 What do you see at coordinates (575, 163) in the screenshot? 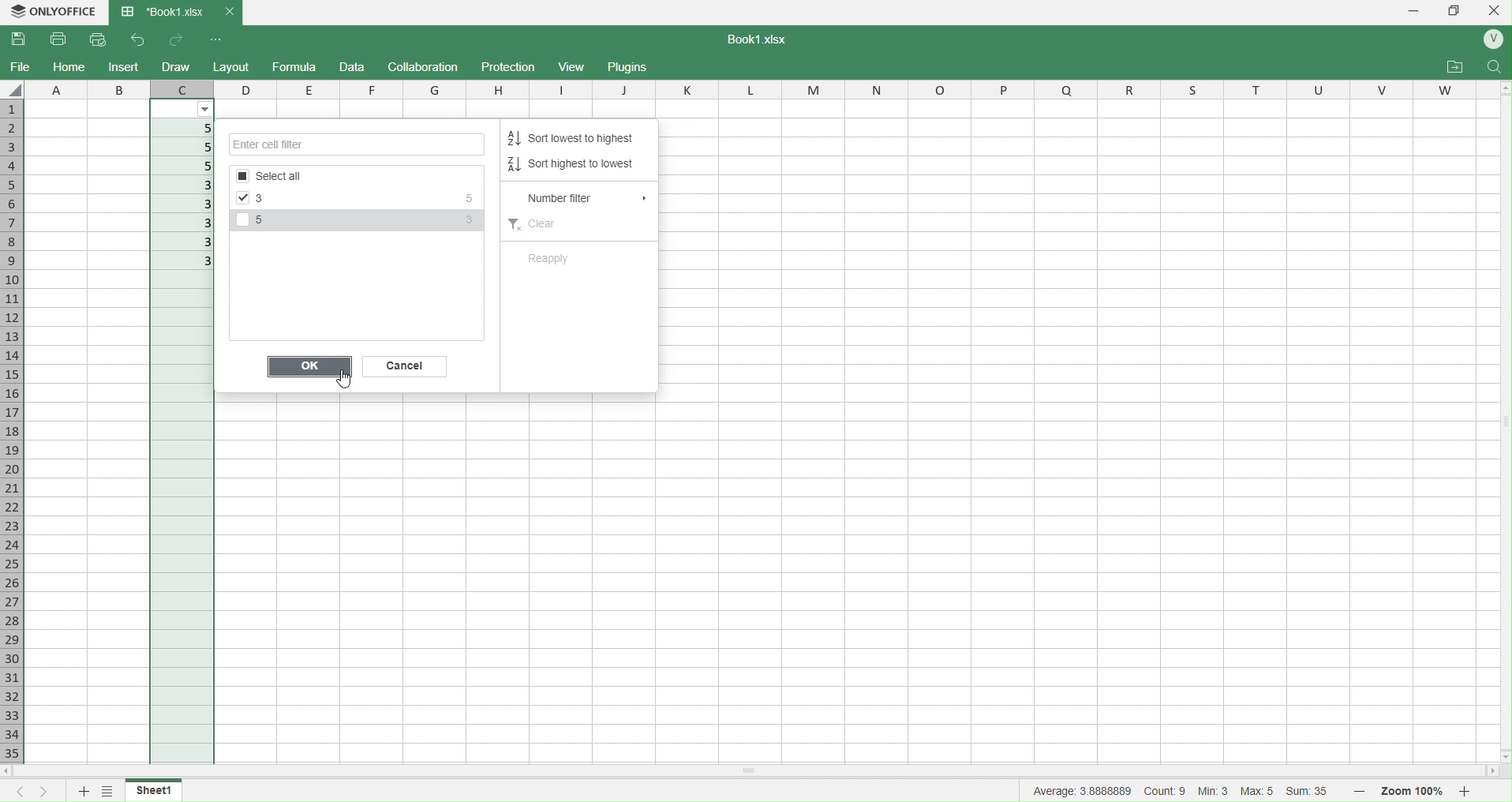
I see `Sort highest to lowest` at bounding box center [575, 163].